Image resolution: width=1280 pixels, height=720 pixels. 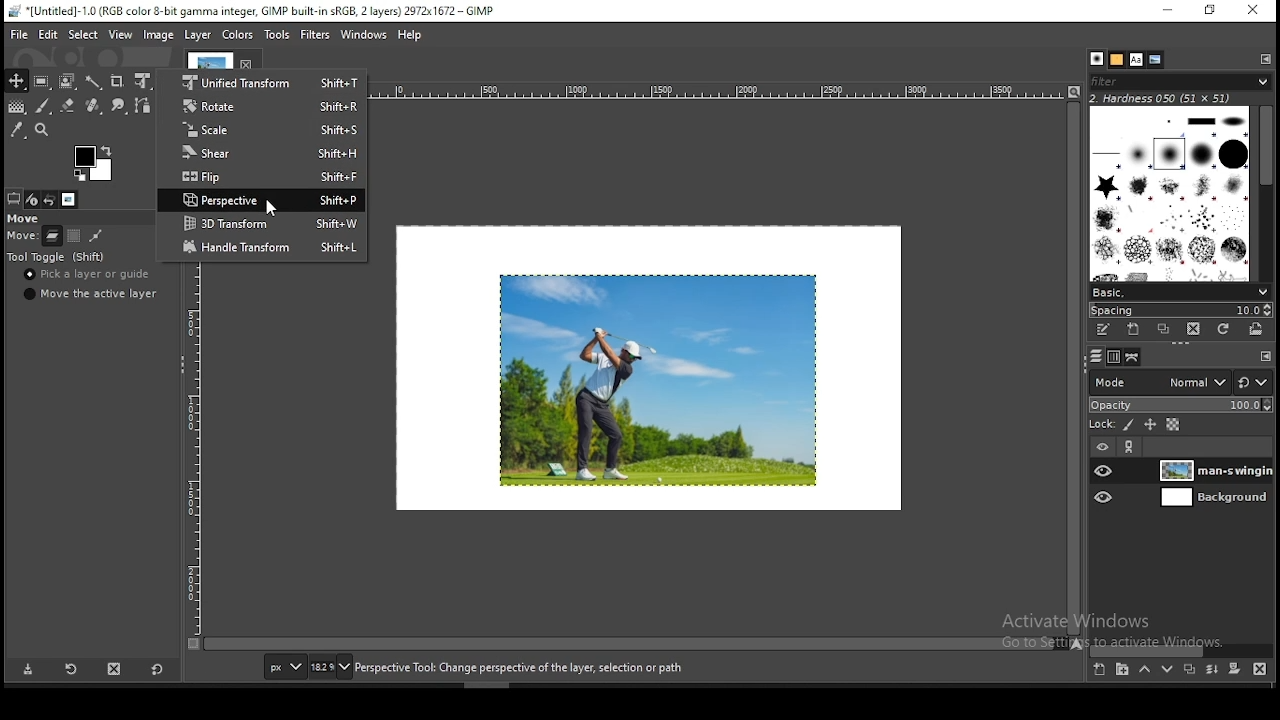 What do you see at coordinates (361, 35) in the screenshot?
I see `windows` at bounding box center [361, 35].